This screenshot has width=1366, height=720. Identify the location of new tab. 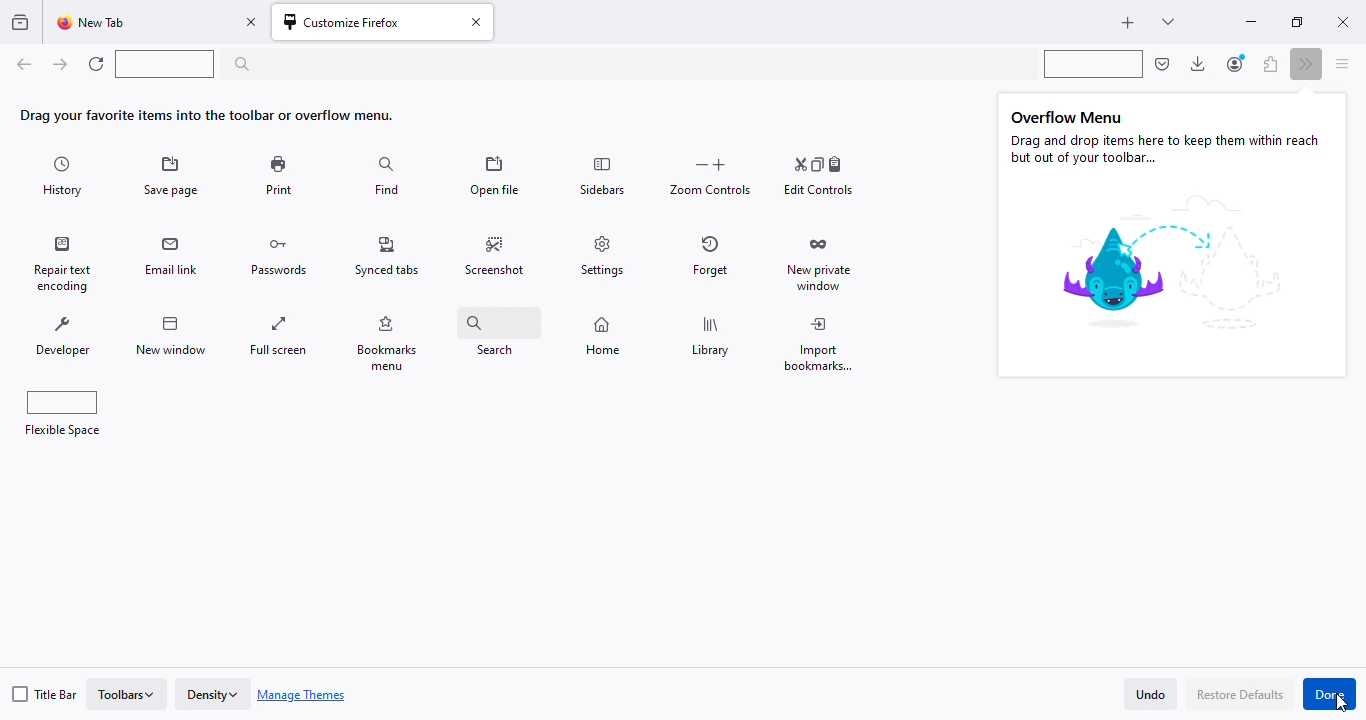
(1128, 24).